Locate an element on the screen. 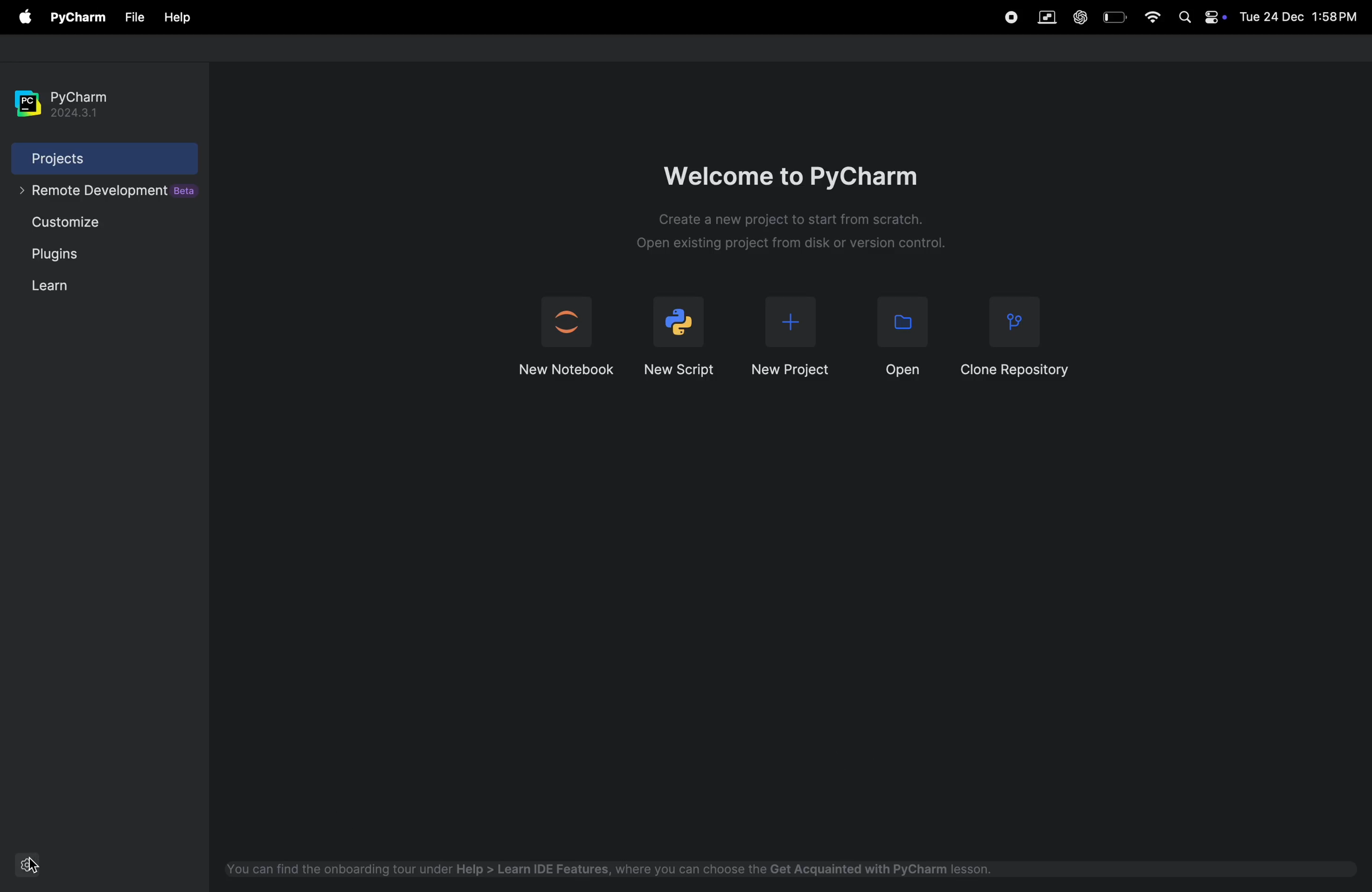  Plugins is located at coordinates (59, 258).